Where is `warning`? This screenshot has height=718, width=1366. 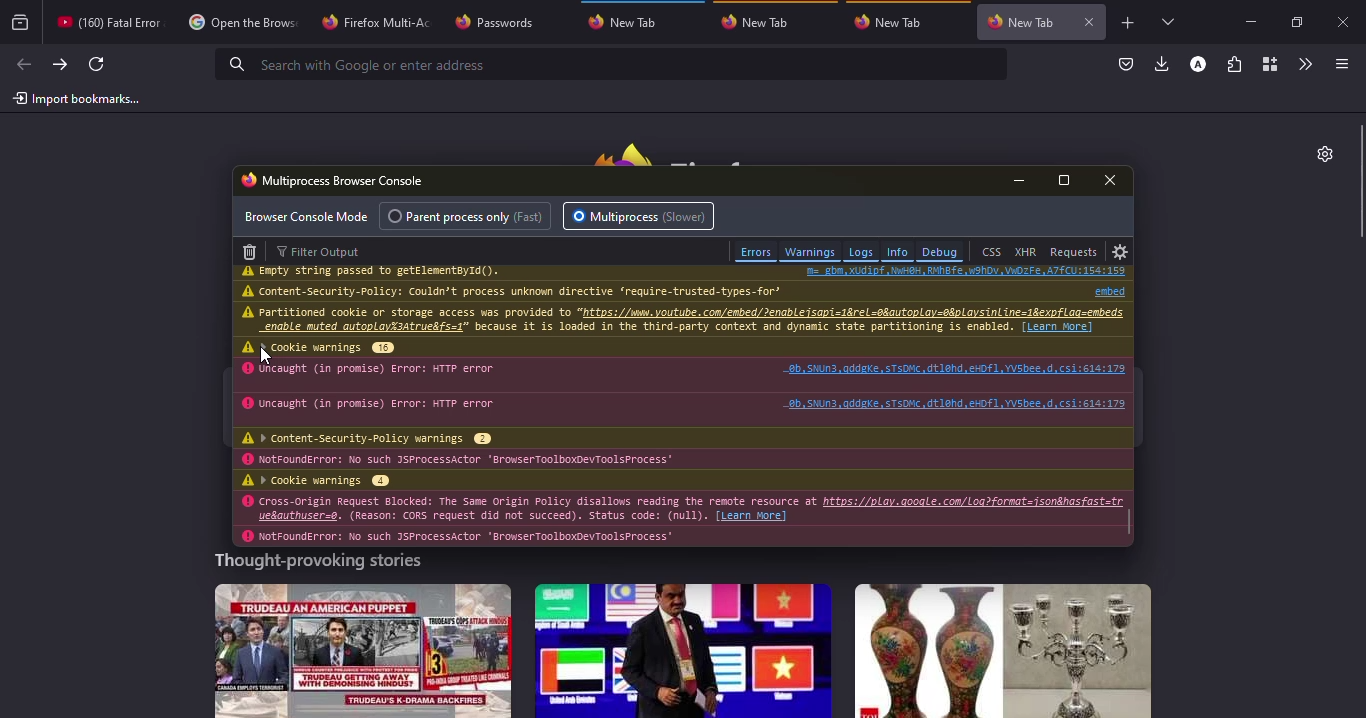
warning is located at coordinates (250, 271).